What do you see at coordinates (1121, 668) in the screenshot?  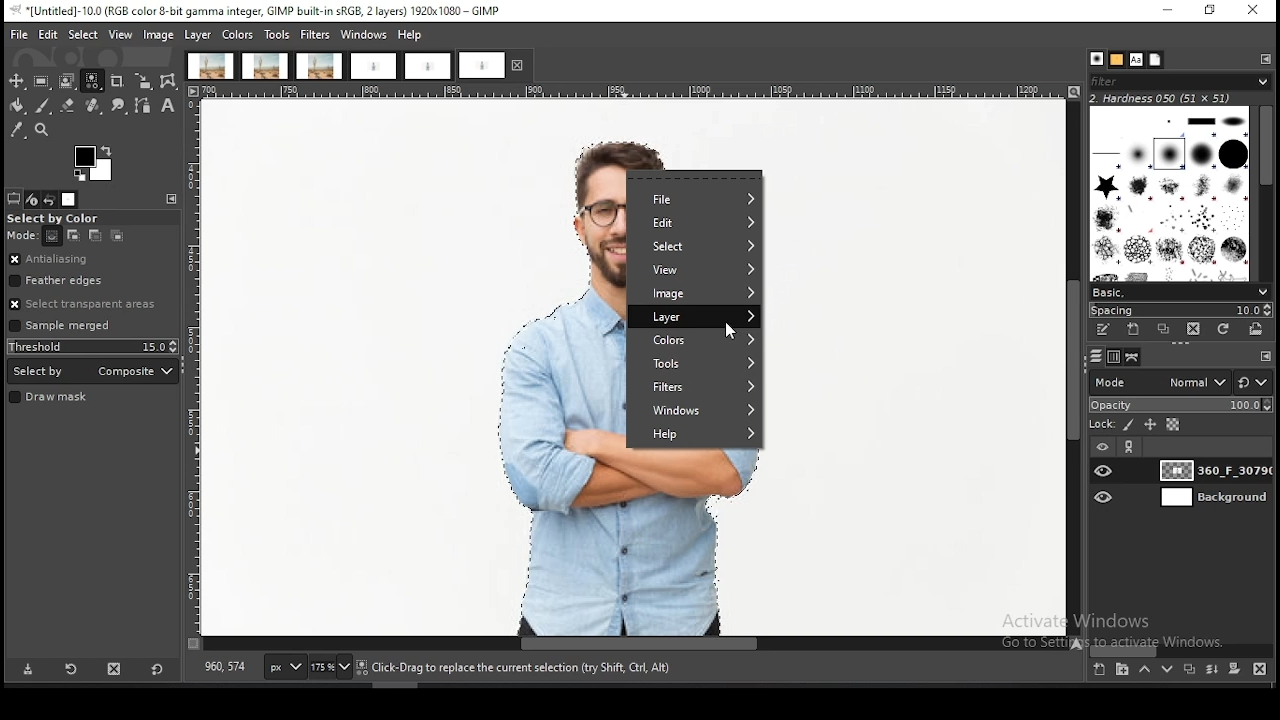 I see `create a new layer group` at bounding box center [1121, 668].